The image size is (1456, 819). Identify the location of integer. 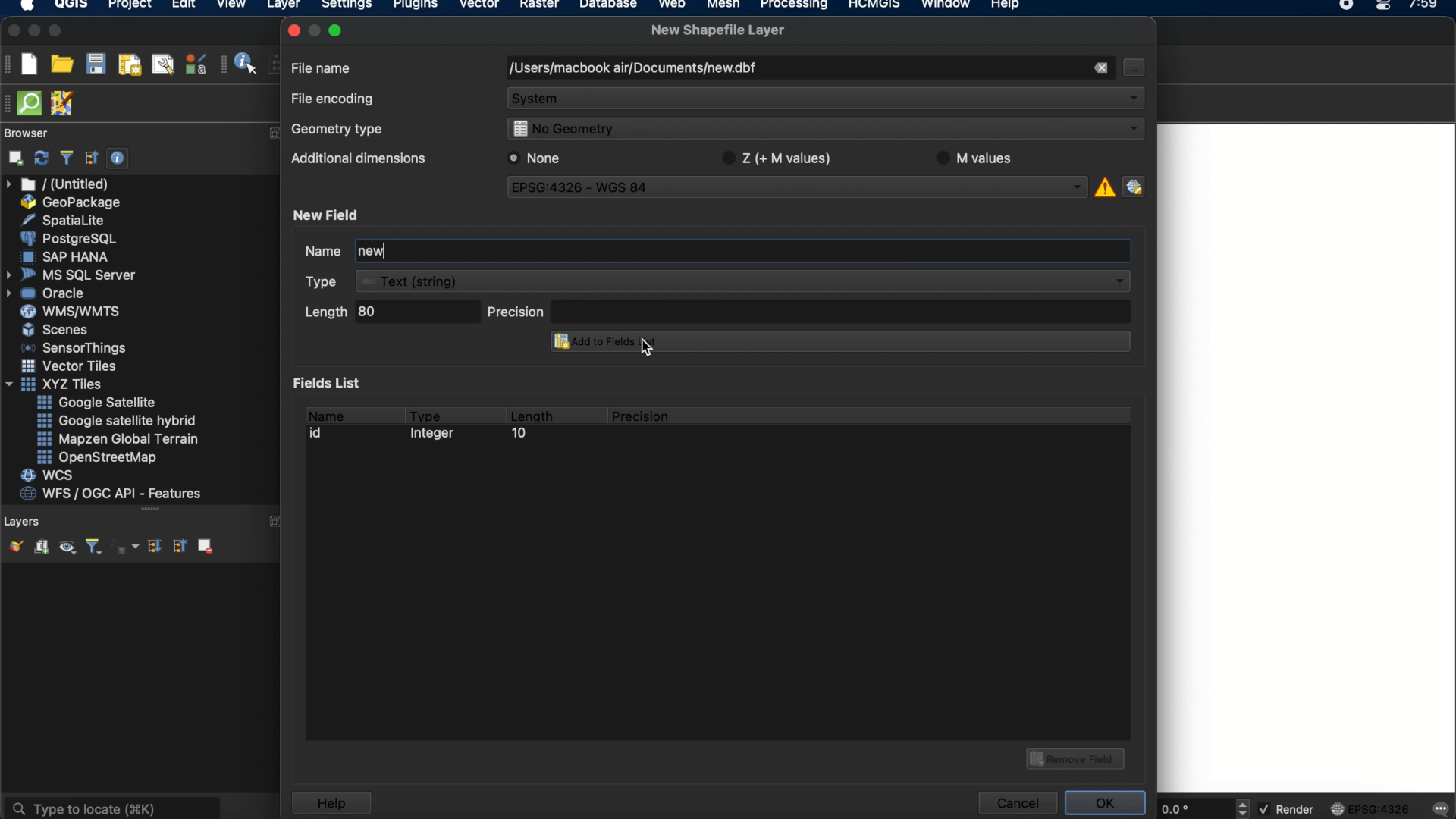
(436, 435).